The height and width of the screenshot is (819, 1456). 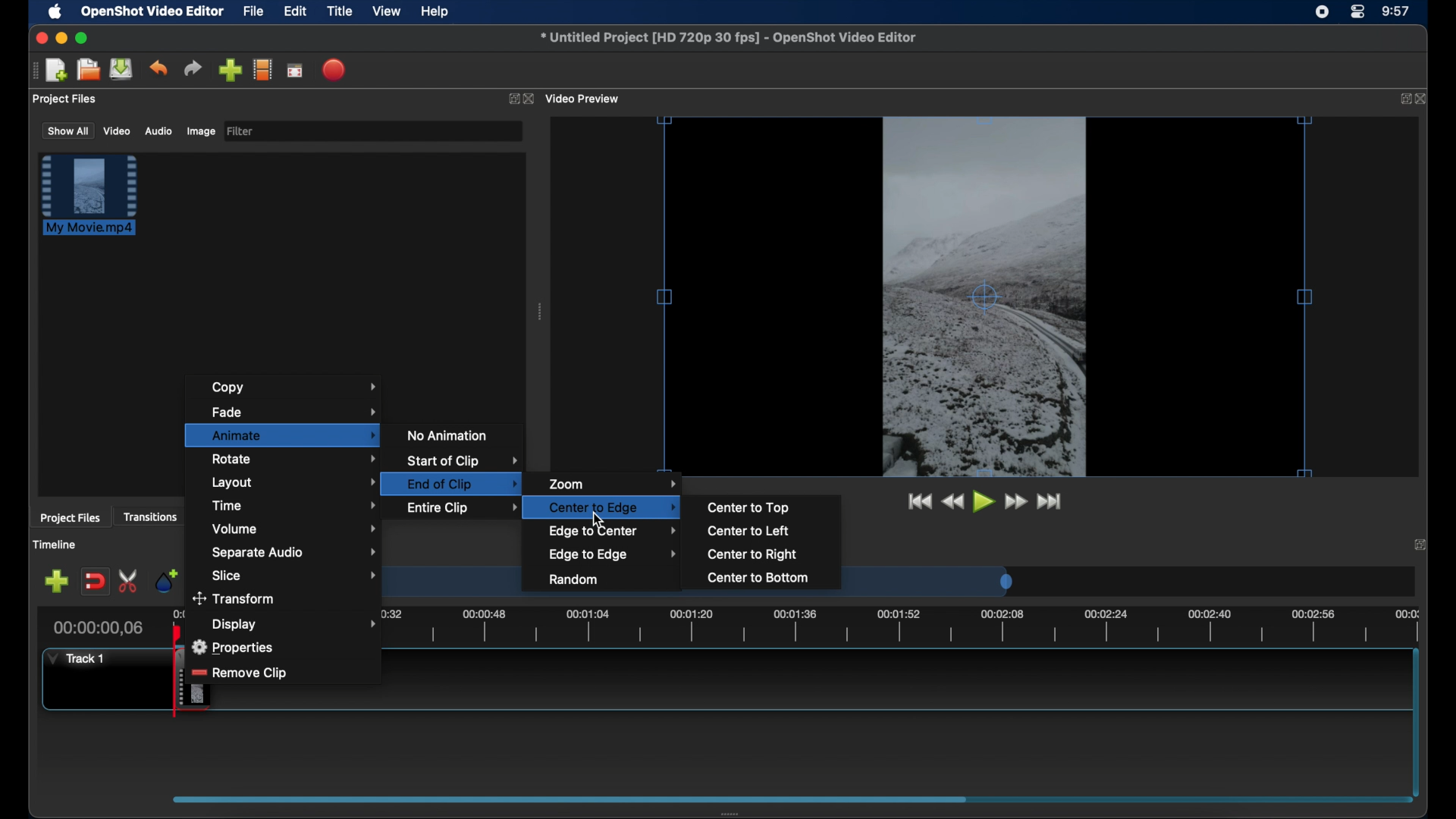 What do you see at coordinates (193, 68) in the screenshot?
I see `redo` at bounding box center [193, 68].